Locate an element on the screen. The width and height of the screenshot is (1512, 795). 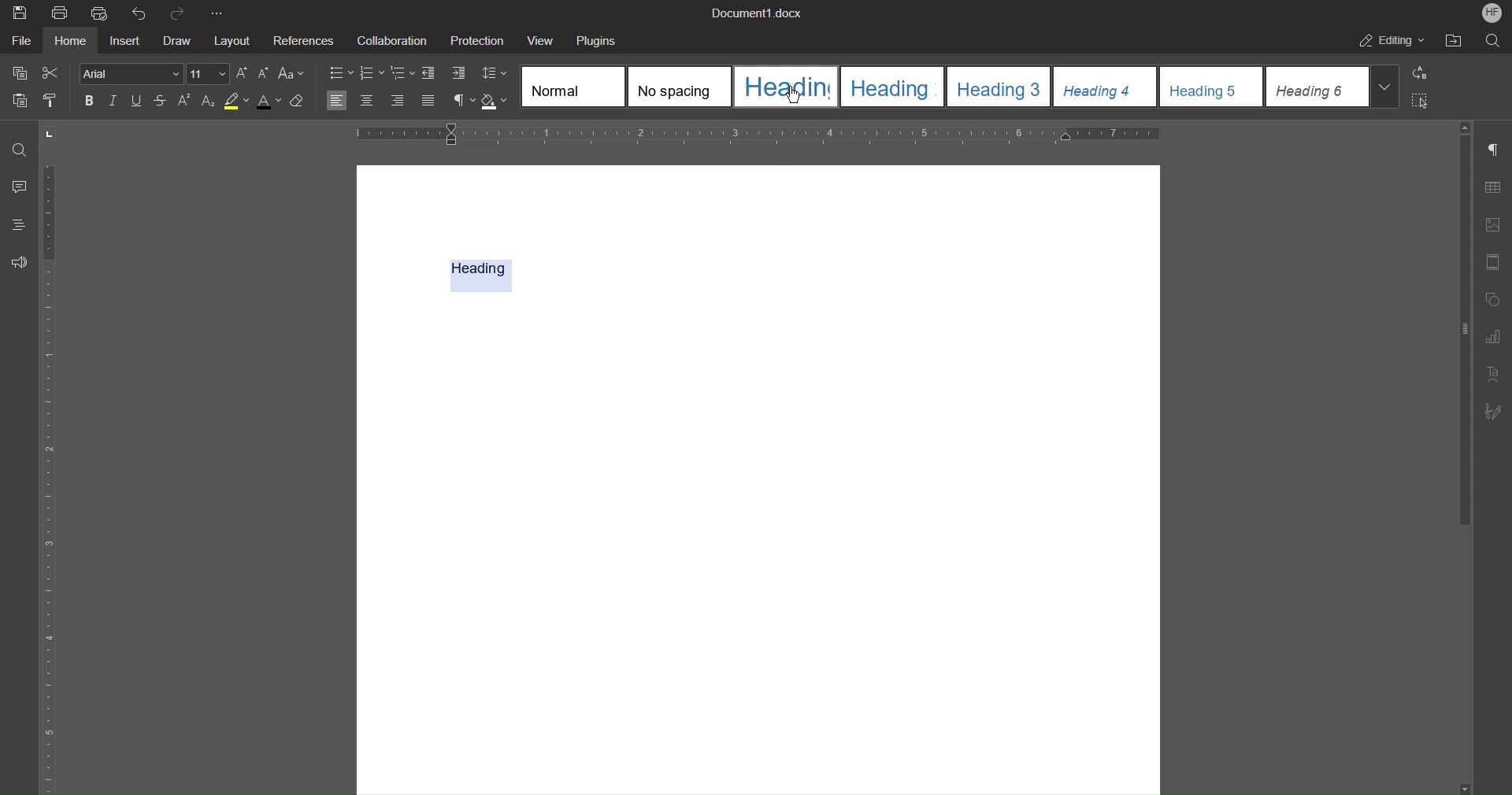
Paste is located at coordinates (18, 97).